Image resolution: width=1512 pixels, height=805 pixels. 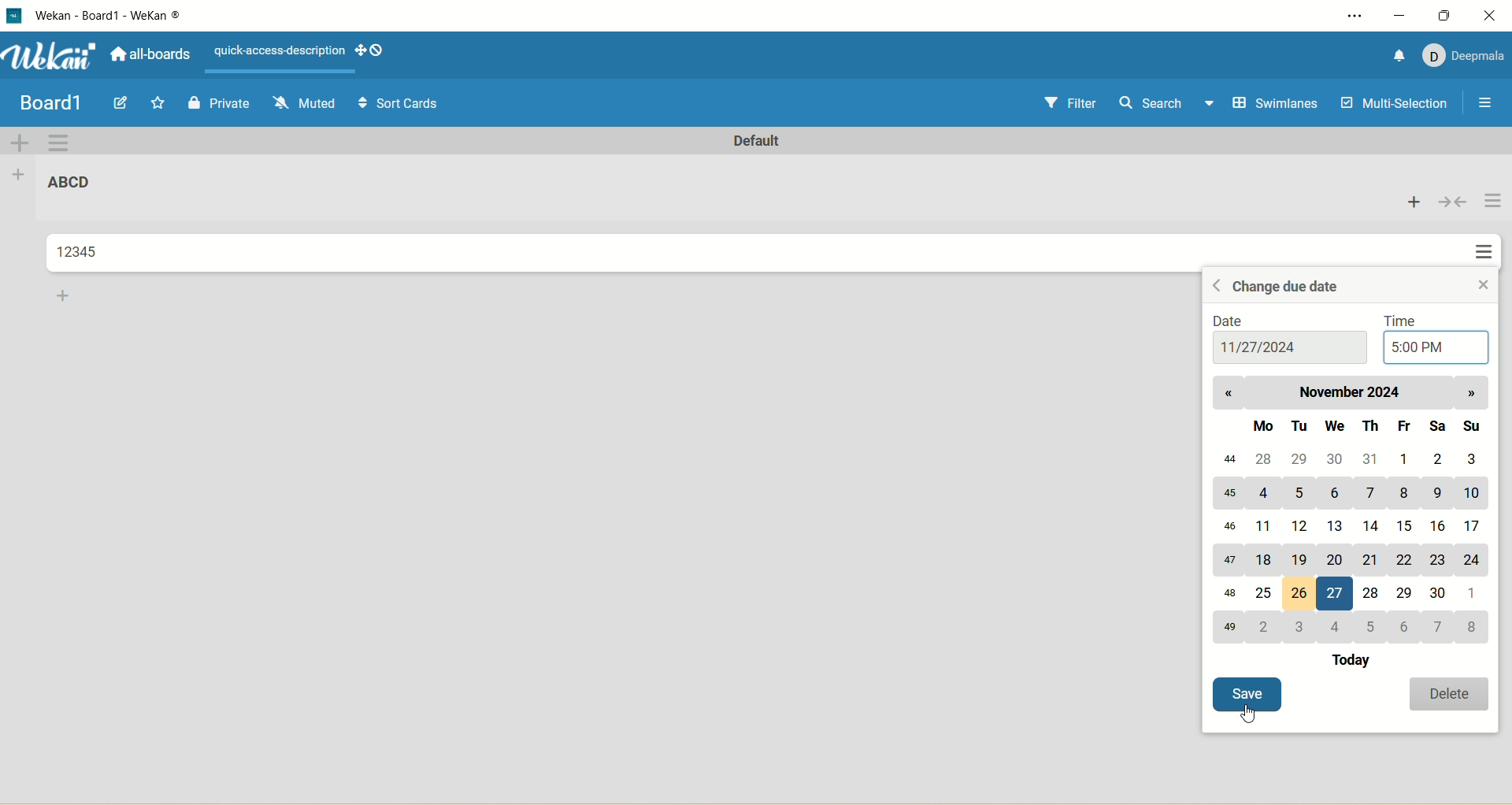 What do you see at coordinates (1454, 202) in the screenshot?
I see `collapse` at bounding box center [1454, 202].